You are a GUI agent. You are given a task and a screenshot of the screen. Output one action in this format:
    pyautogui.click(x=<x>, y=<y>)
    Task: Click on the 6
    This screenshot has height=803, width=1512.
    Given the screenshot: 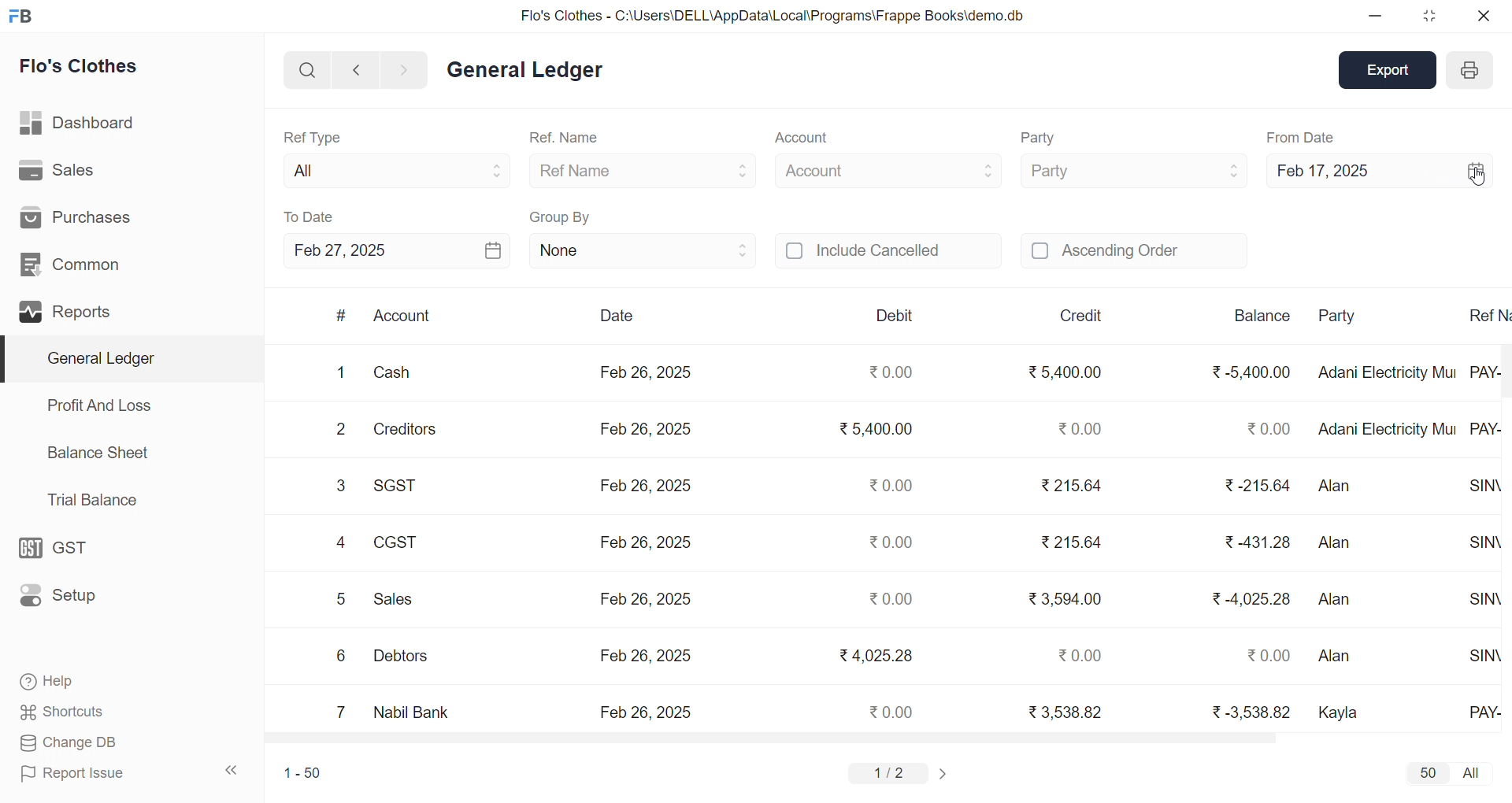 What is the action you would take?
    pyautogui.click(x=339, y=656)
    